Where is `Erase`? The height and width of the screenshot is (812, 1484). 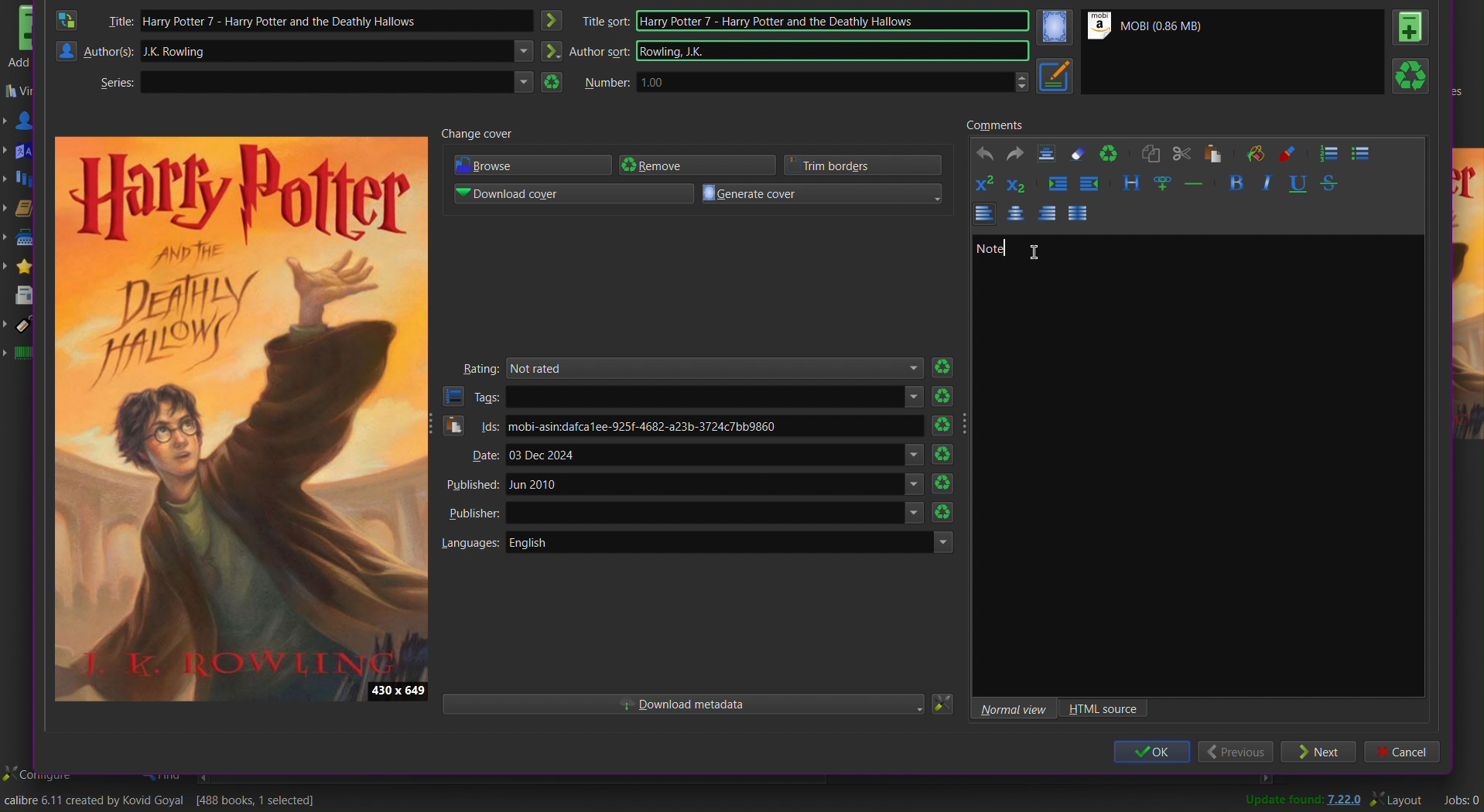 Erase is located at coordinates (1077, 151).